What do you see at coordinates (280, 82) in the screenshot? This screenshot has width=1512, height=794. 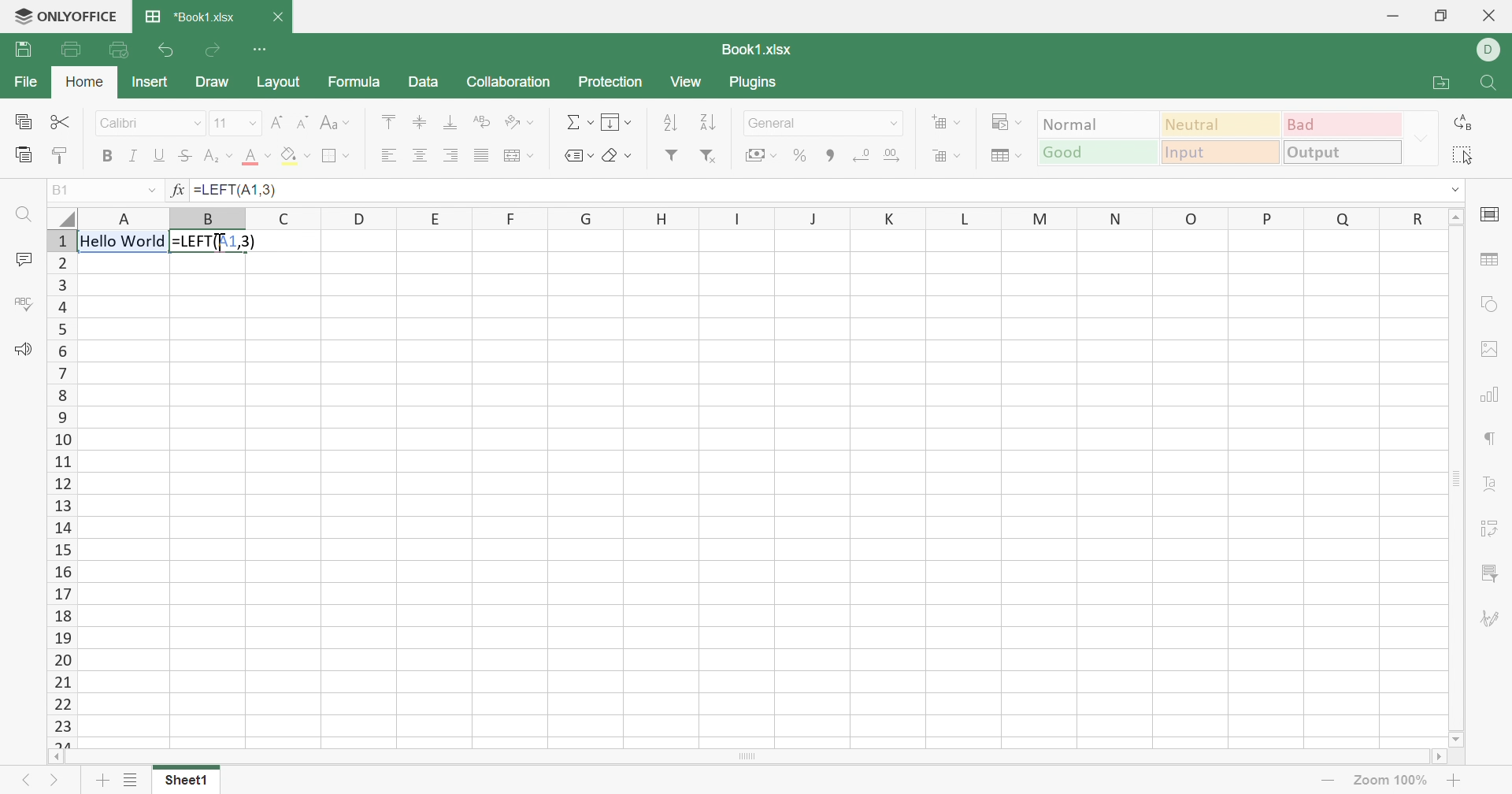 I see `Layout` at bounding box center [280, 82].